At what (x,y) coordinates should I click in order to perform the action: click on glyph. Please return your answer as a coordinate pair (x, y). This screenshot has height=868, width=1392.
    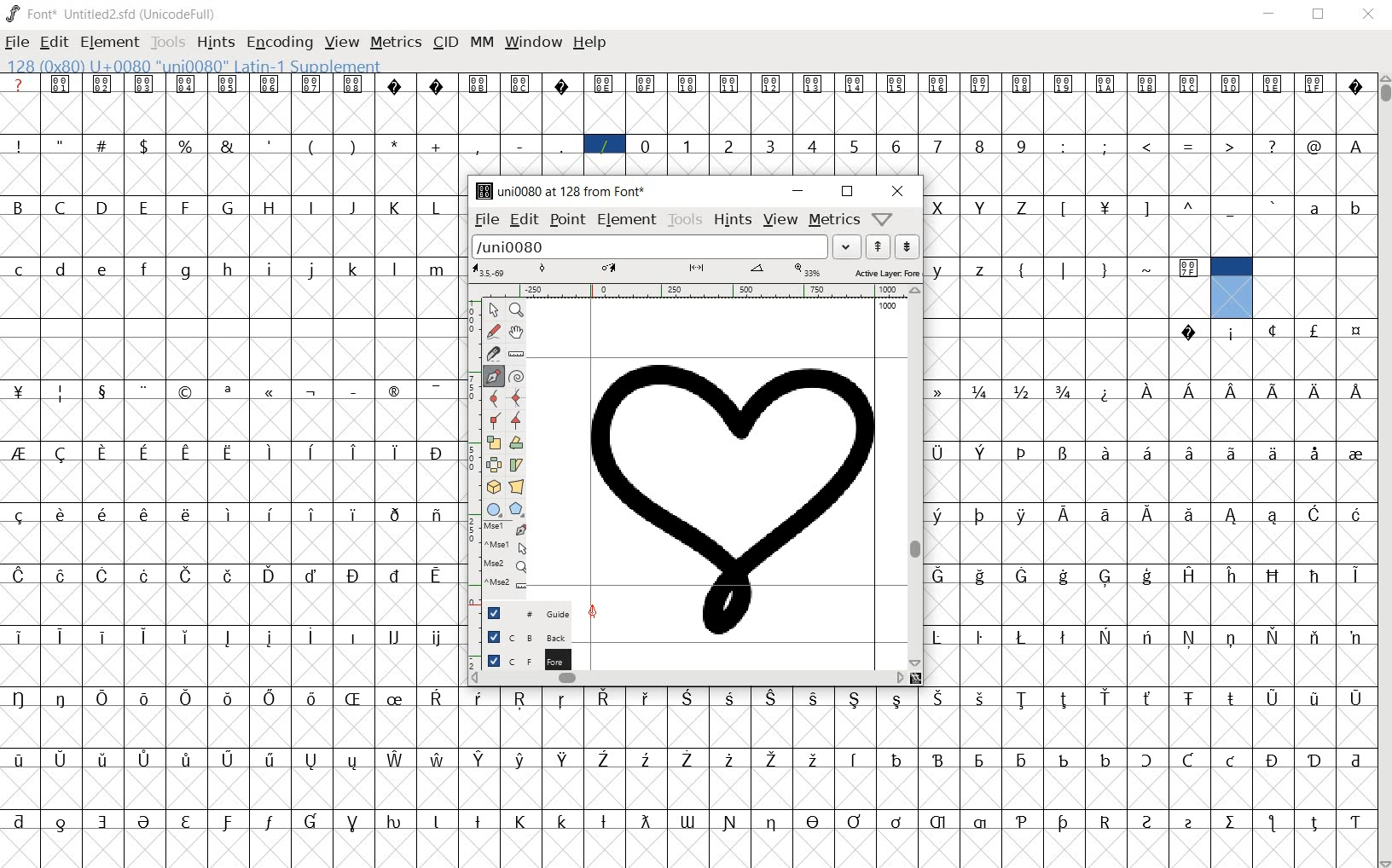
    Looking at the image, I should click on (1063, 637).